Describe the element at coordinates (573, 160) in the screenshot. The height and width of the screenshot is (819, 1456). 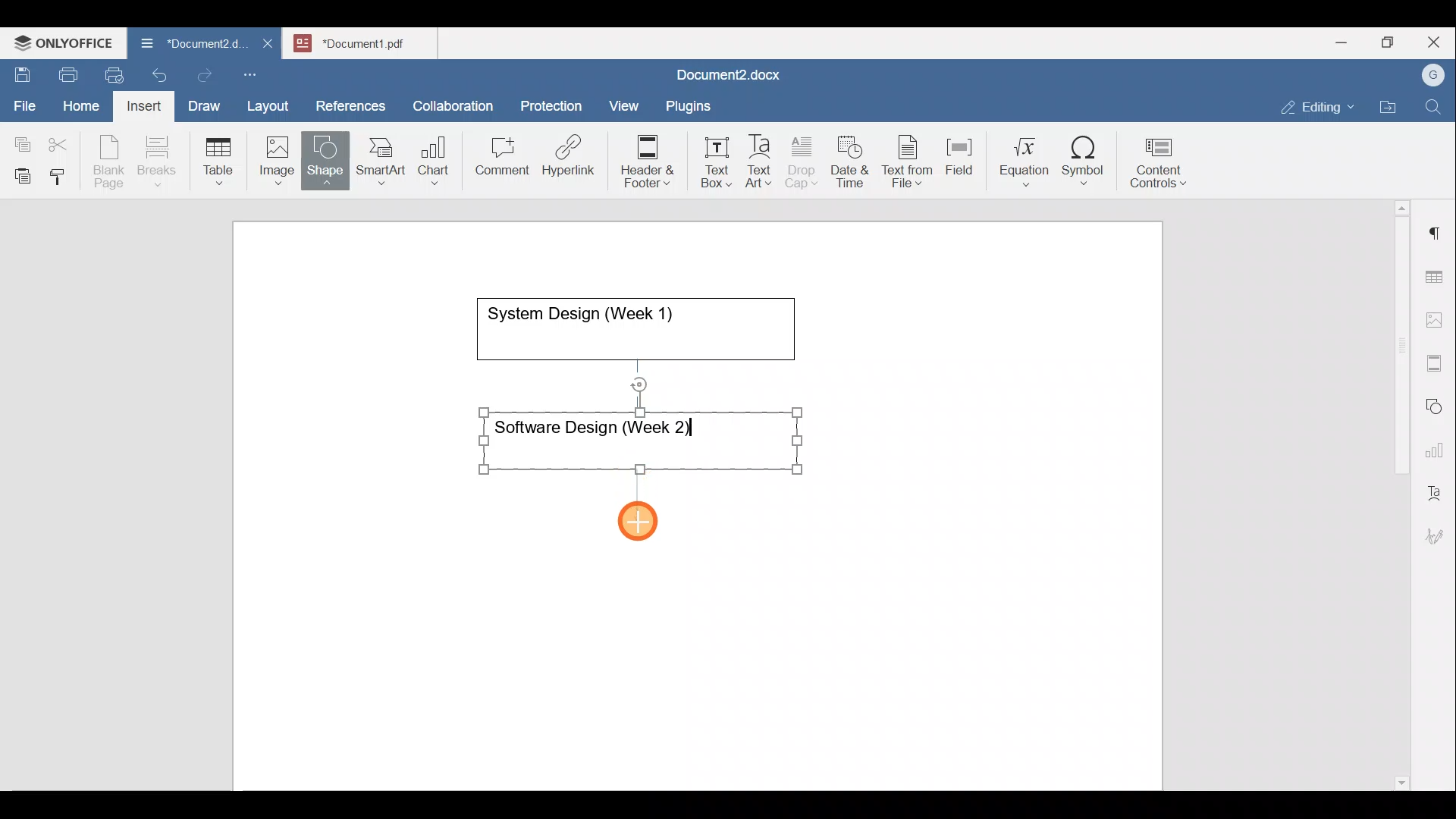
I see `Hyperlink` at that location.